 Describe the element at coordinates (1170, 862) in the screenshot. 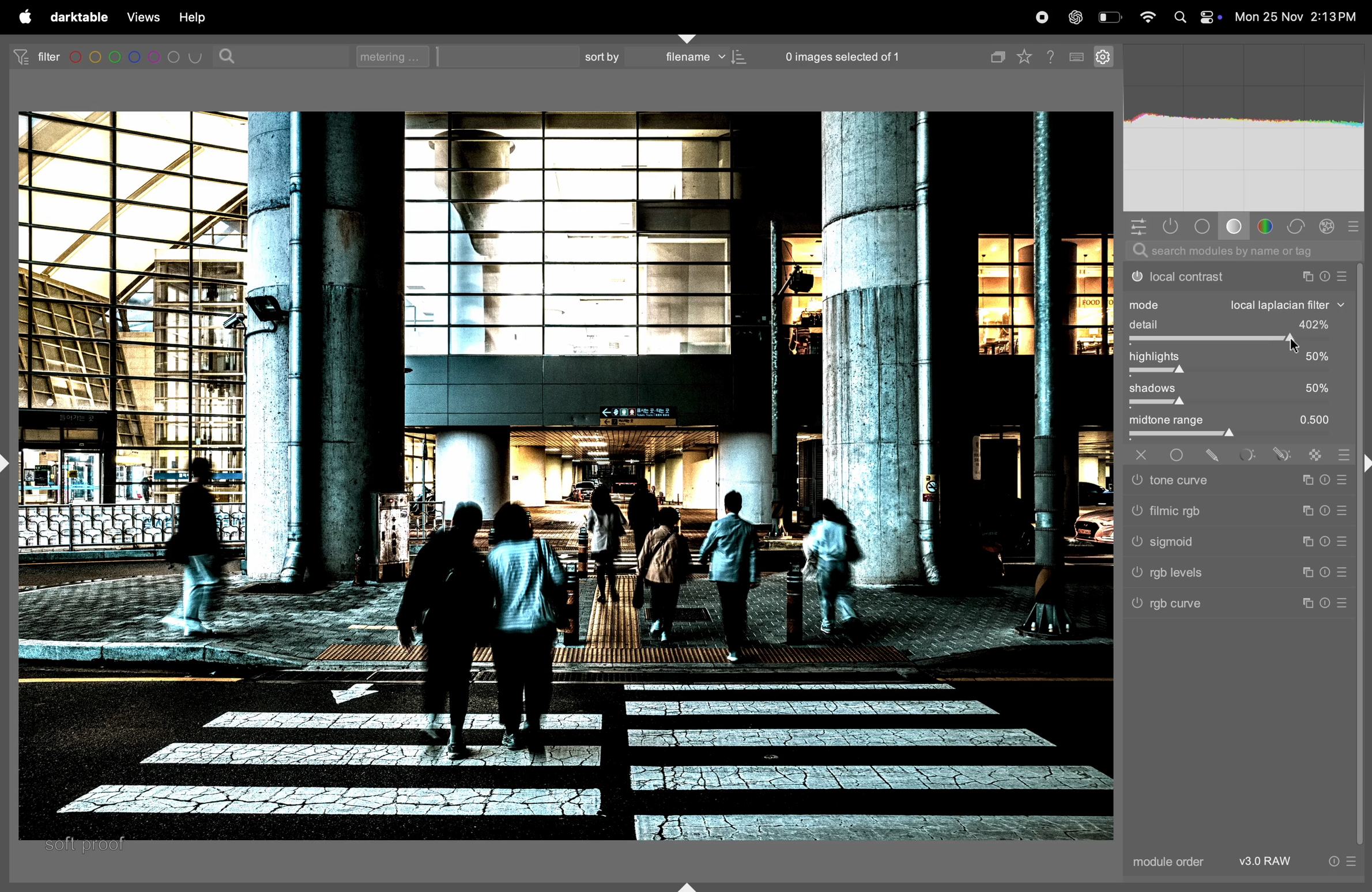

I see `module order` at that location.